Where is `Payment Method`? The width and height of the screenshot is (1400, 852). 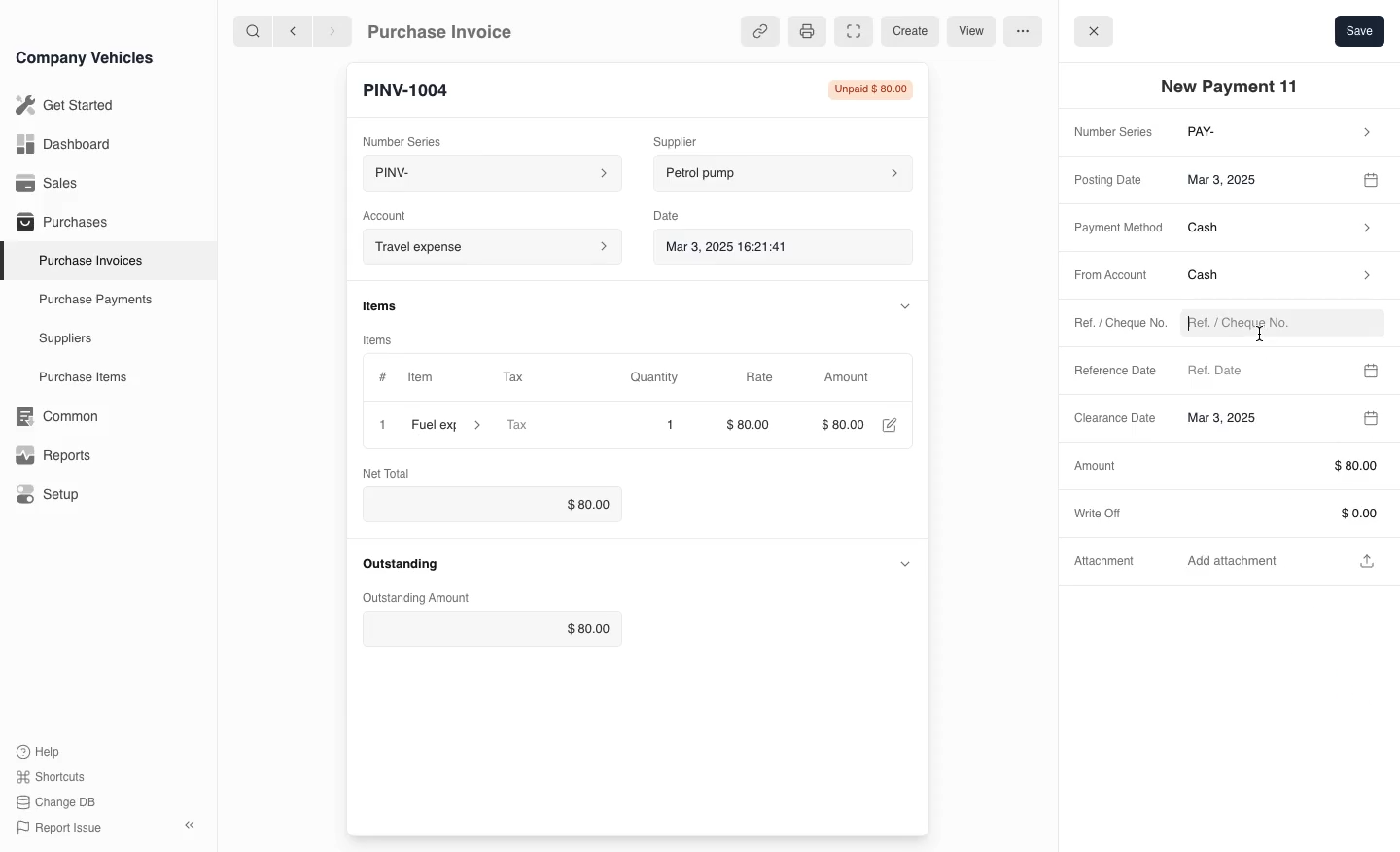 Payment Method is located at coordinates (1112, 229).